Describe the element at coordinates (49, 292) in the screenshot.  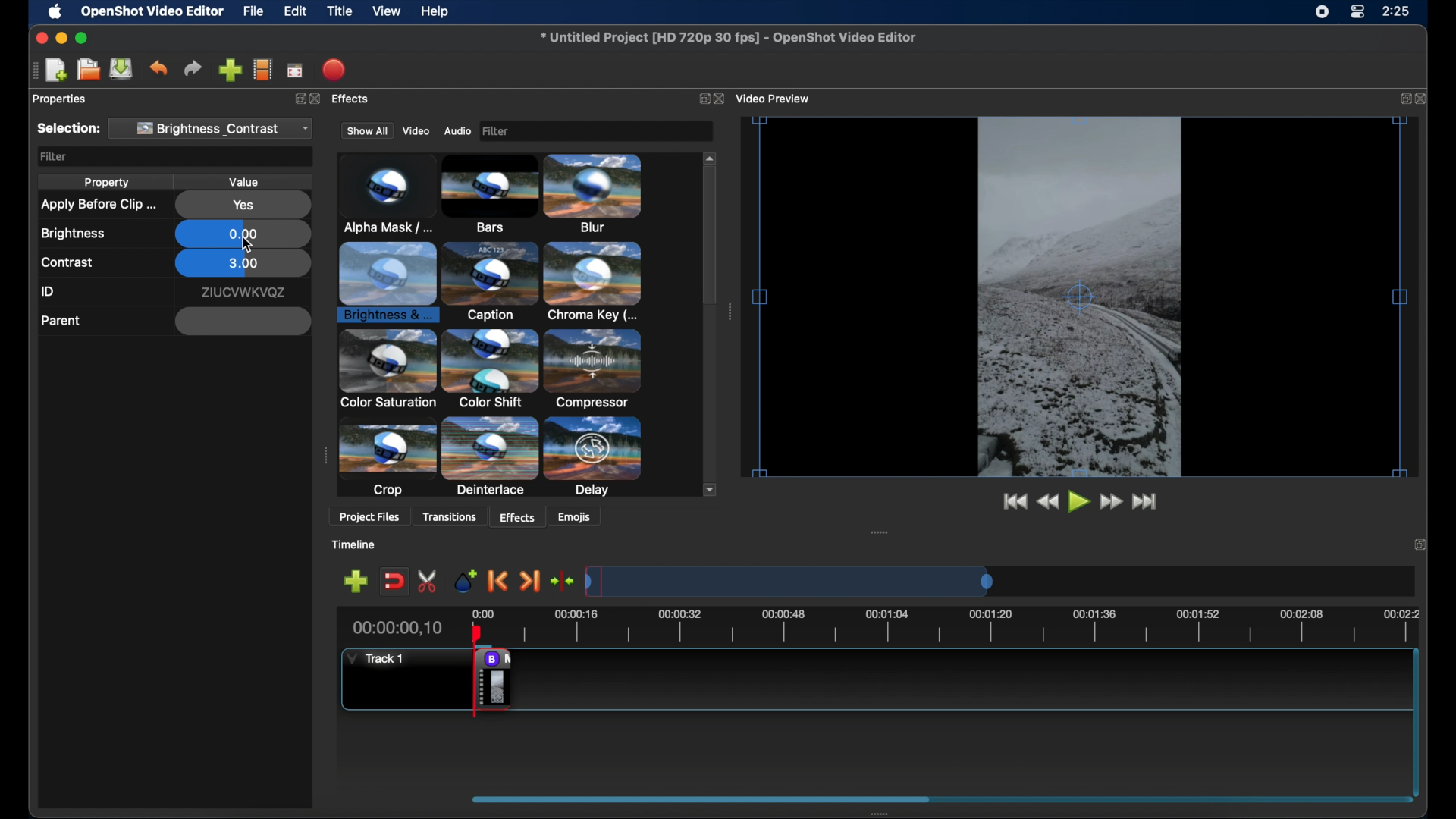
I see `id` at that location.